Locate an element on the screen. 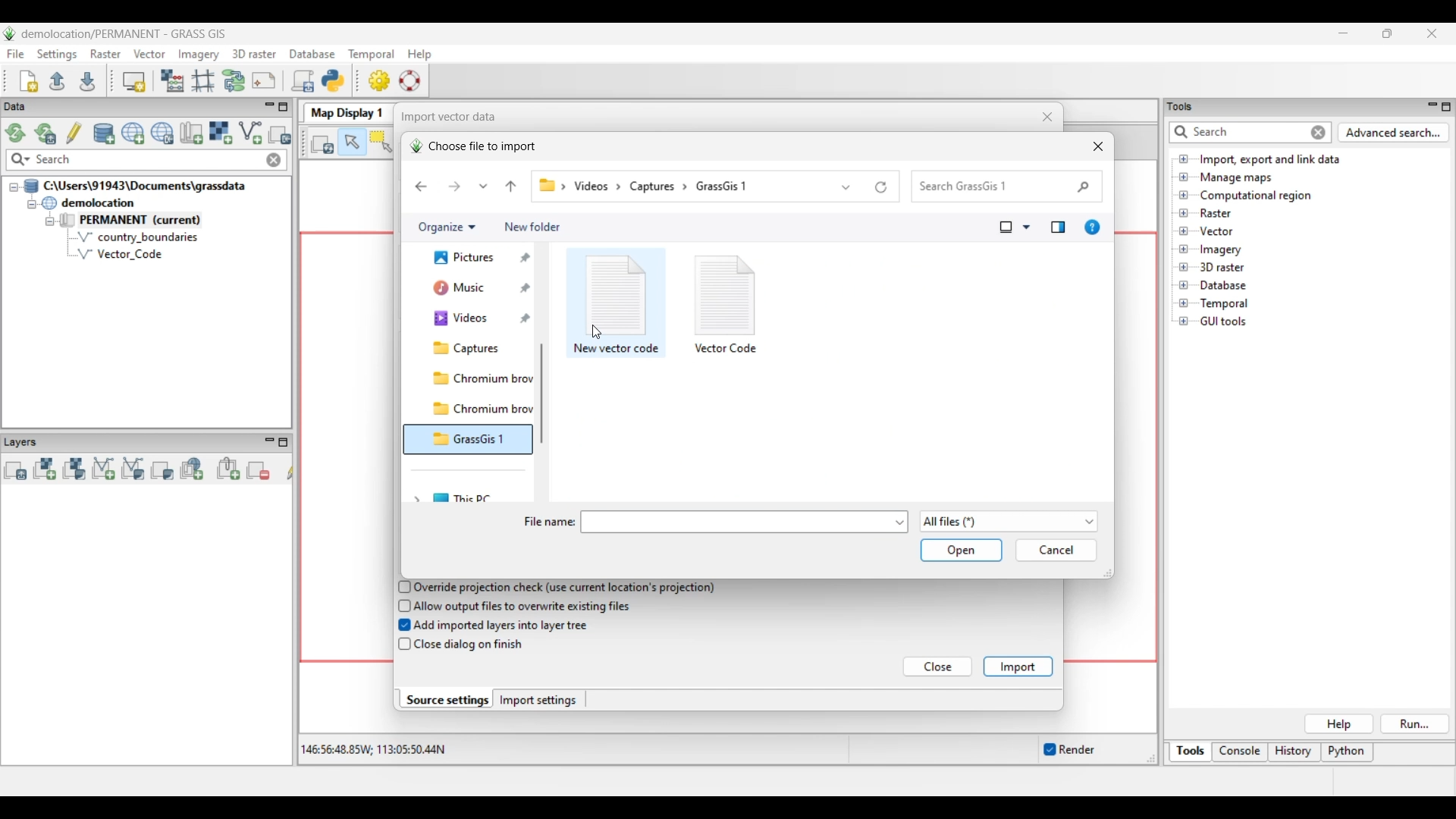 The width and height of the screenshot is (1456, 819). Advanced search for Tools panel is located at coordinates (1394, 133).